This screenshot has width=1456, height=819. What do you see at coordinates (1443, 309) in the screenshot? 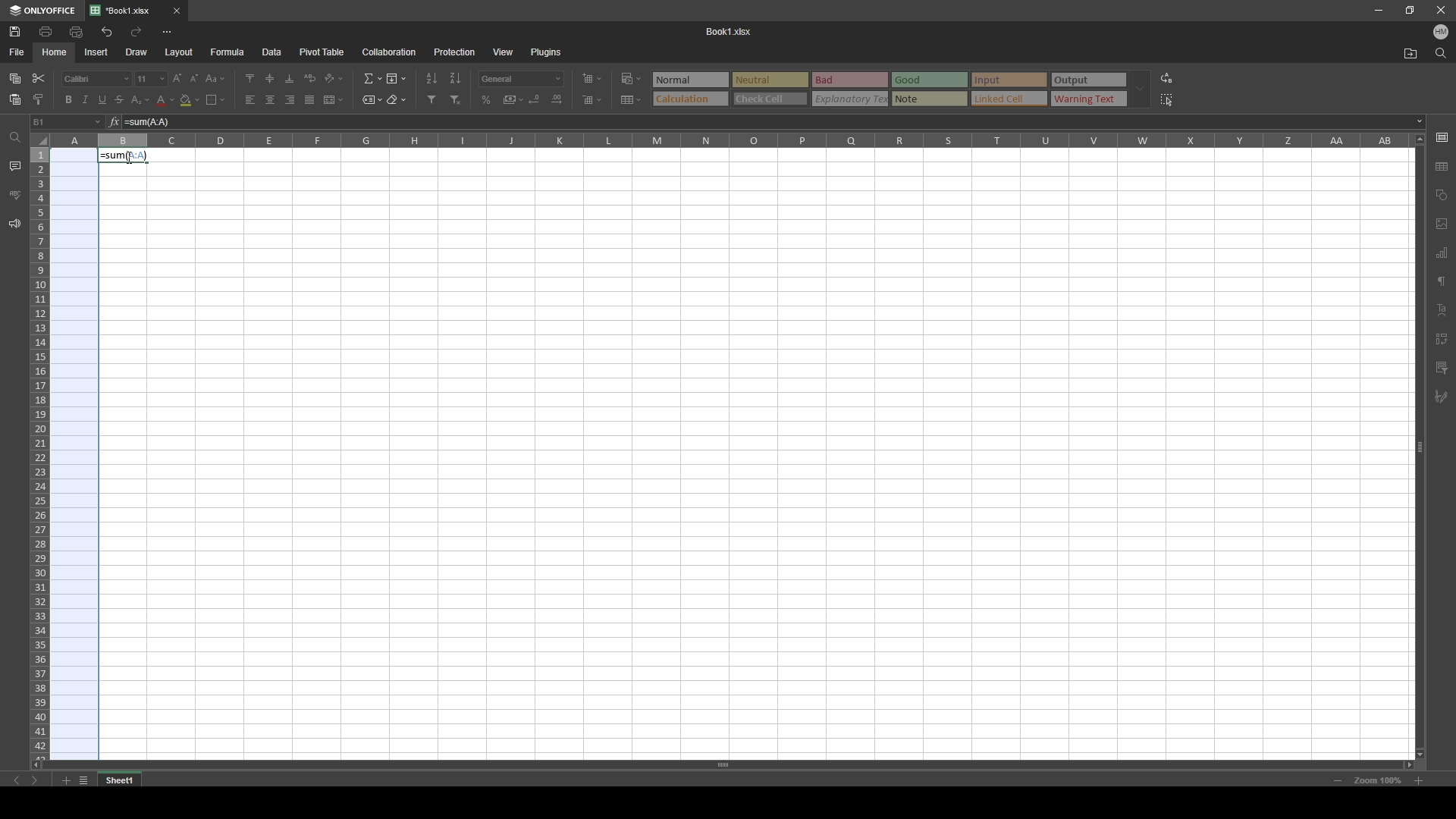
I see `text align` at bounding box center [1443, 309].